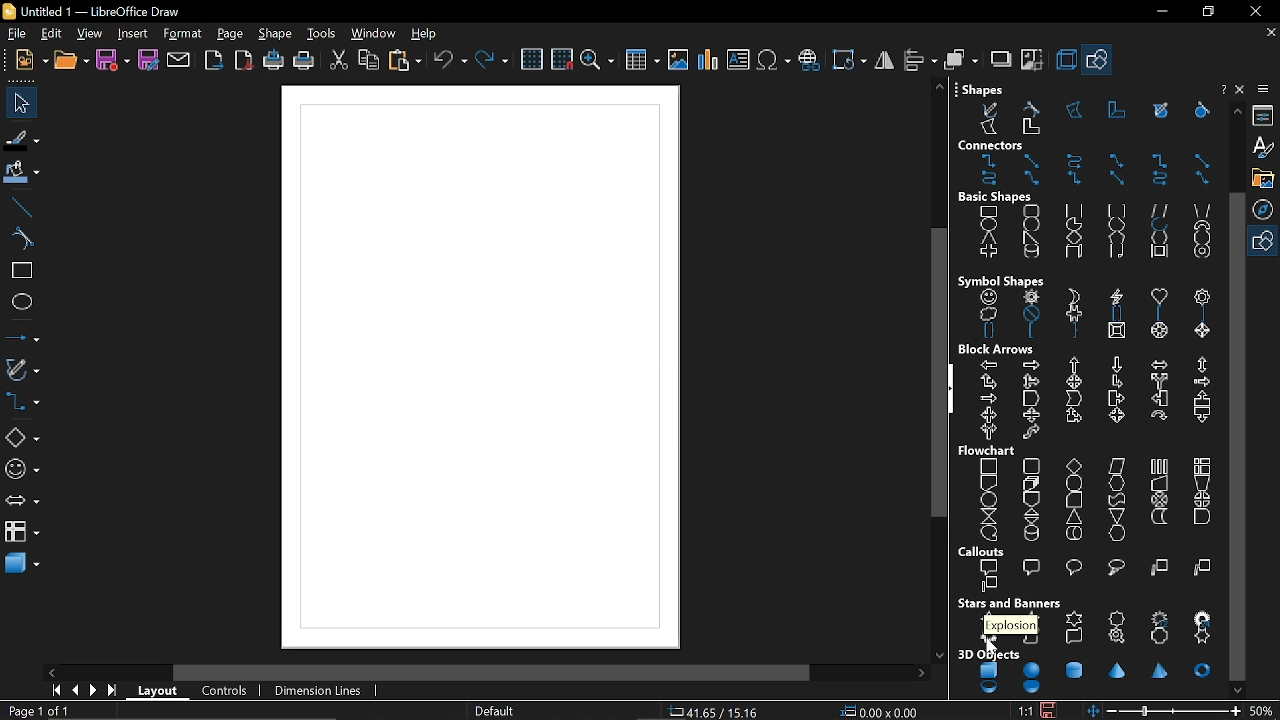  I want to click on fill line, so click(21, 141).